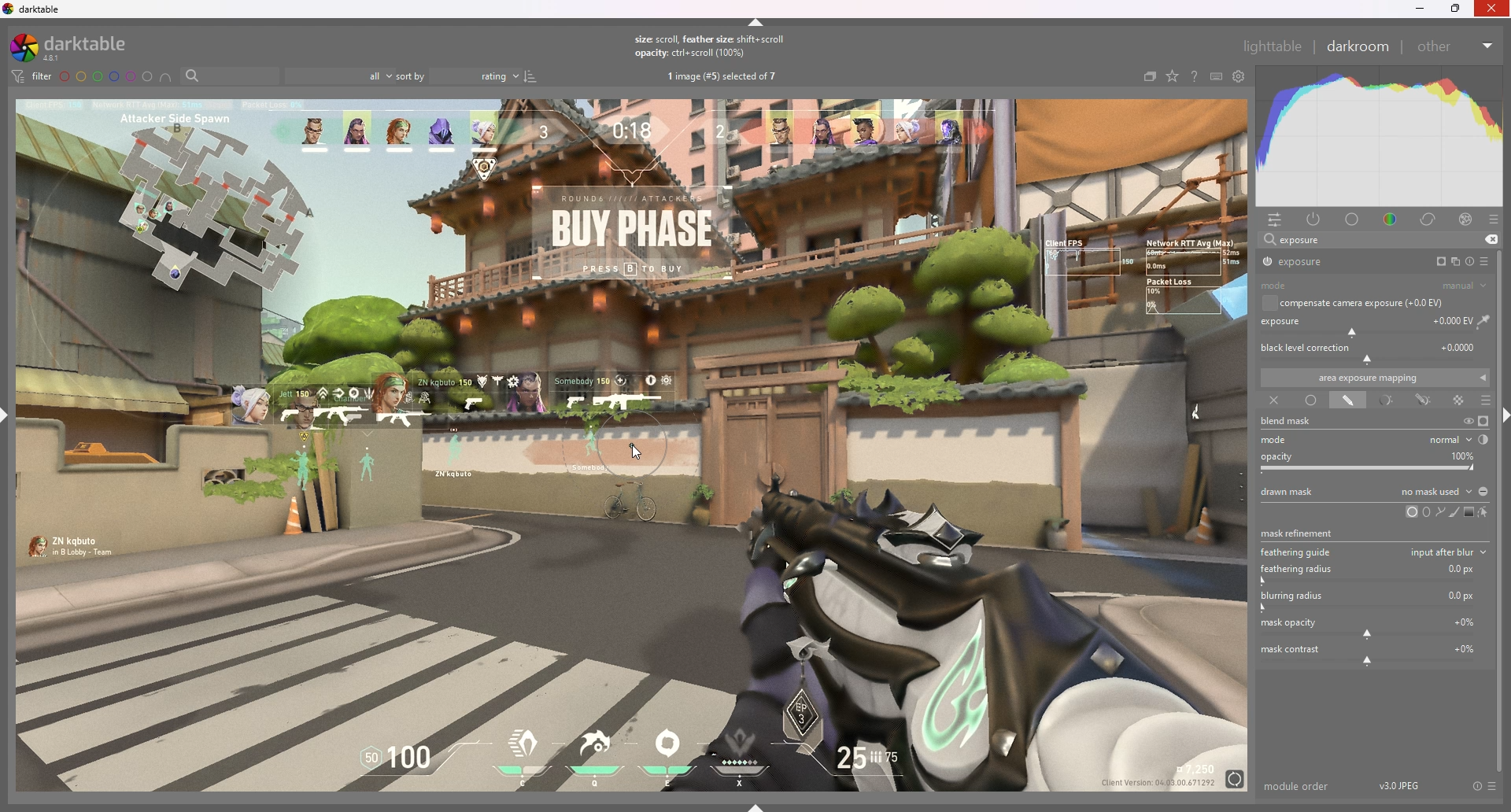 This screenshot has height=812, width=1511. What do you see at coordinates (1295, 422) in the screenshot?
I see `blend mask` at bounding box center [1295, 422].